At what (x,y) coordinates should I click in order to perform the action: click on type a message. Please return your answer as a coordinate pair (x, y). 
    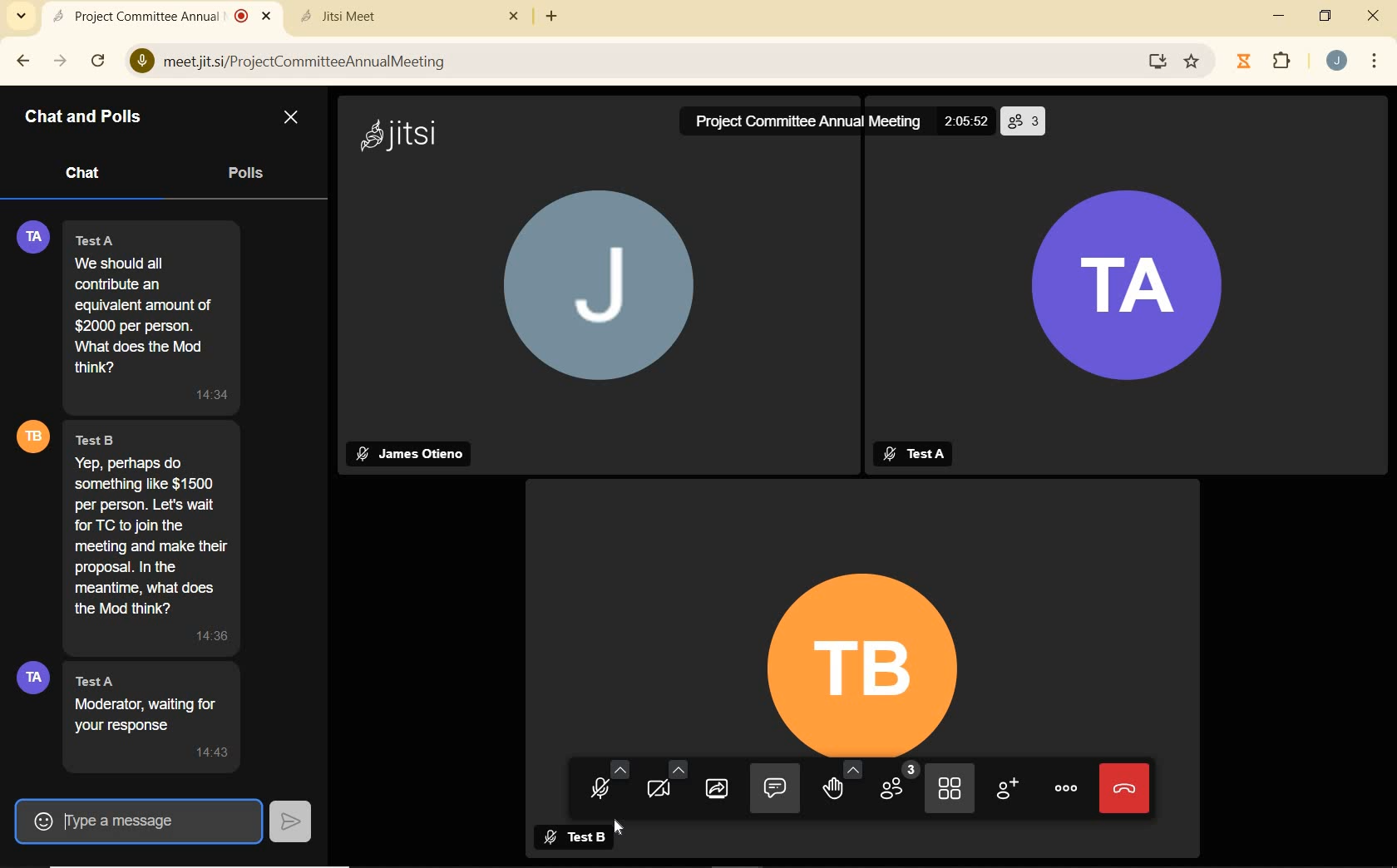
    Looking at the image, I should click on (161, 821).